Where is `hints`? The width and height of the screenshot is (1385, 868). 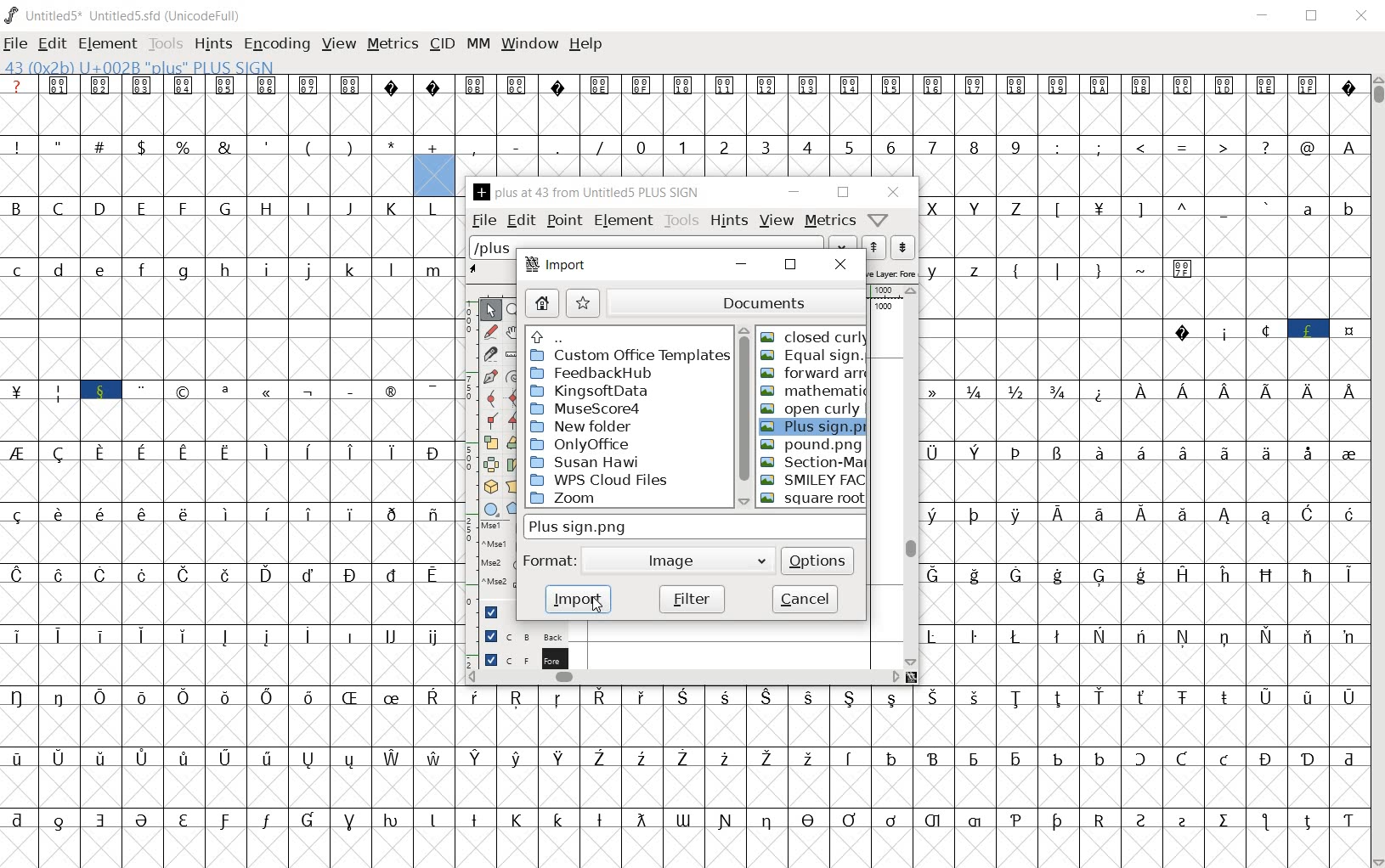 hints is located at coordinates (212, 45).